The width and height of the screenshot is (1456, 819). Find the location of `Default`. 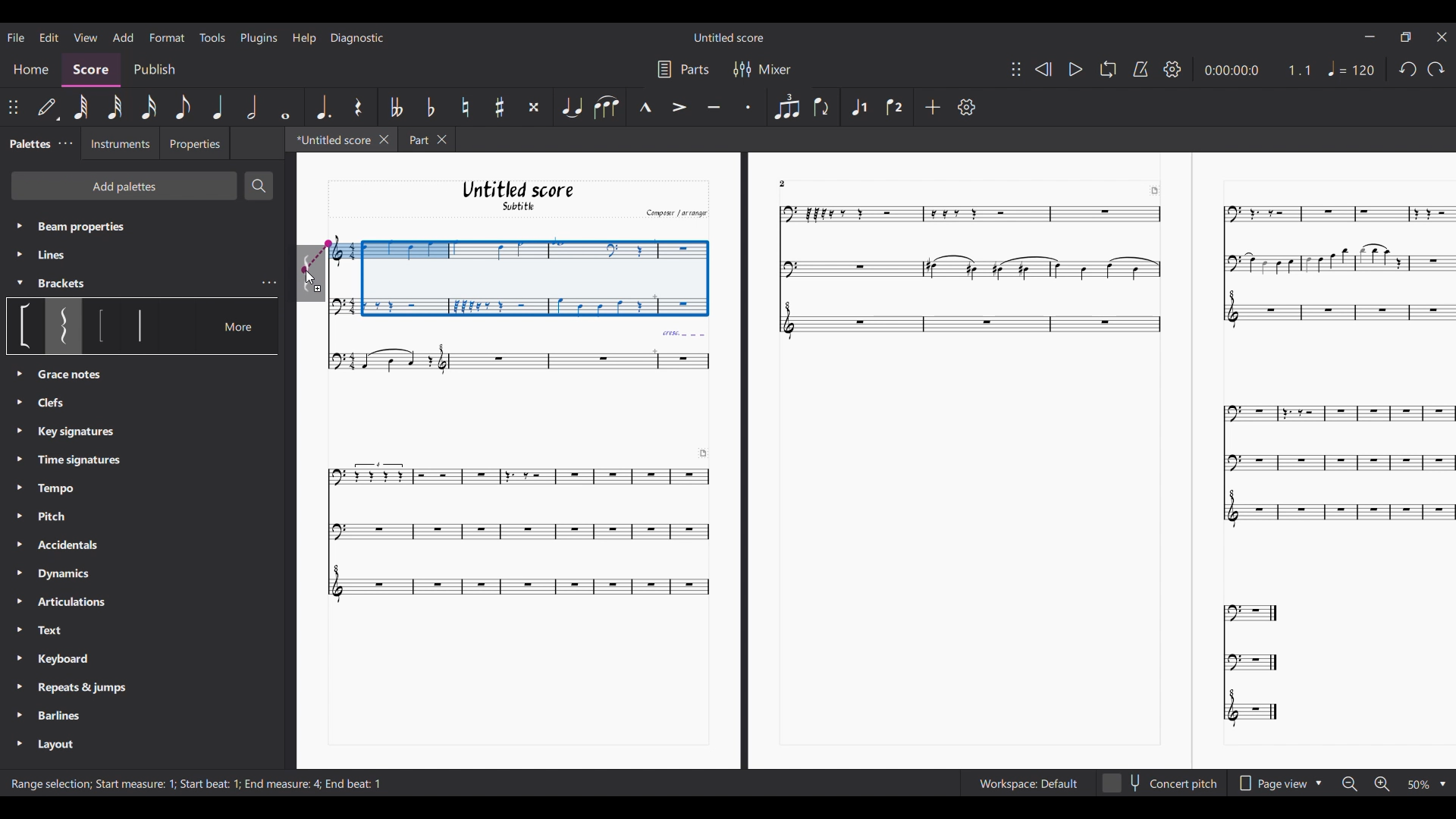

Default is located at coordinates (48, 109).